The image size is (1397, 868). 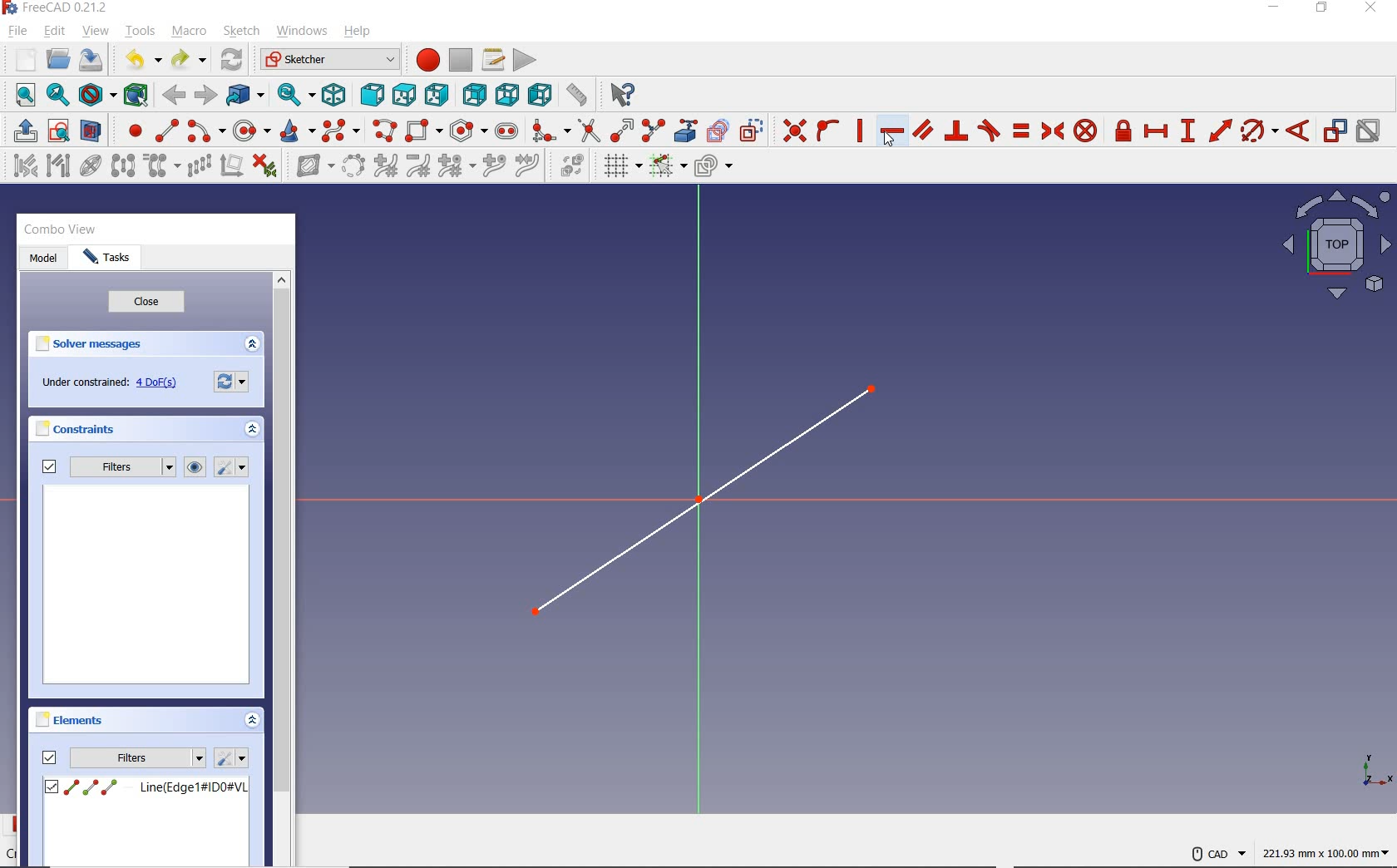 I want to click on SETTINGS, so click(x=231, y=757).